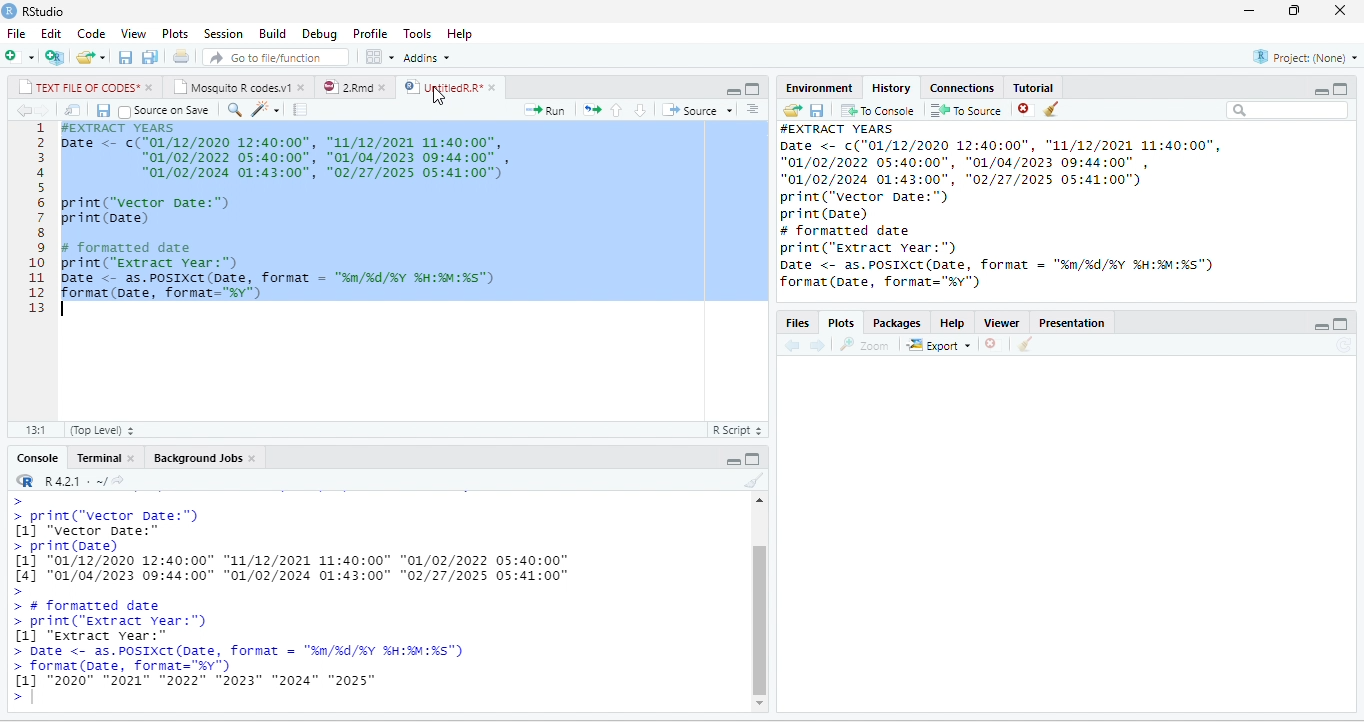 This screenshot has width=1364, height=722. Describe the element at coordinates (46, 12) in the screenshot. I see `RStudio` at that location.